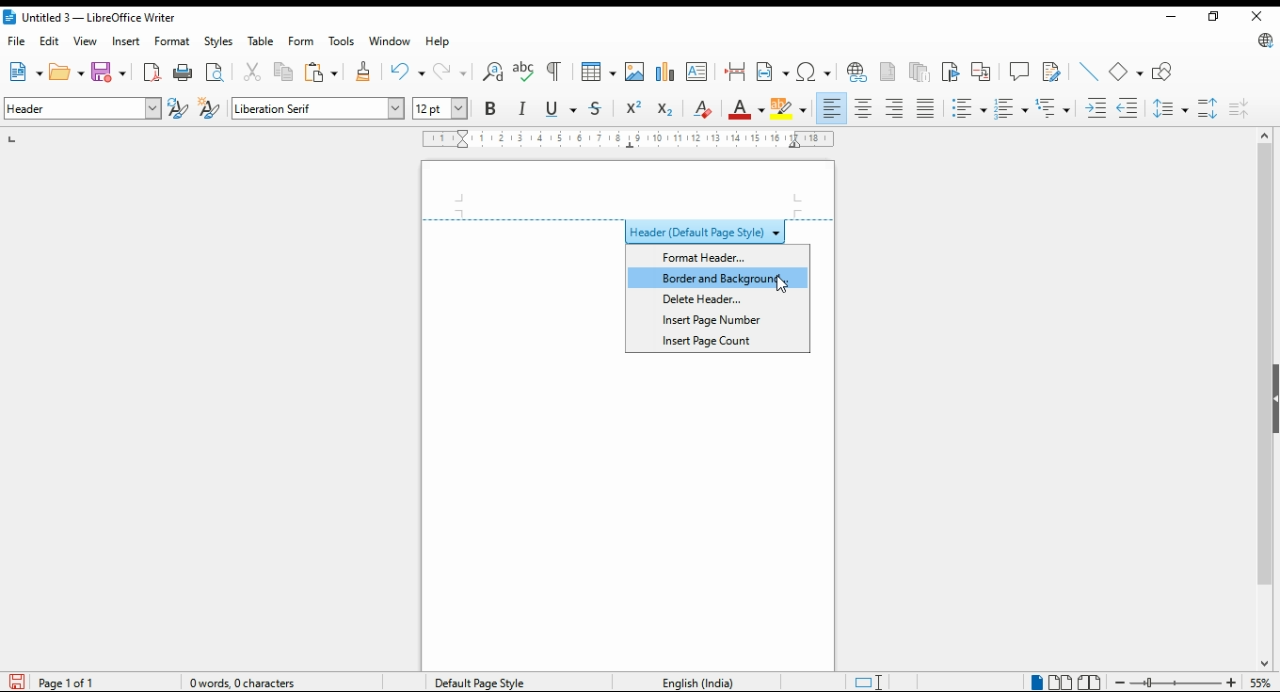  Describe the element at coordinates (340, 41) in the screenshot. I see `tools` at that location.